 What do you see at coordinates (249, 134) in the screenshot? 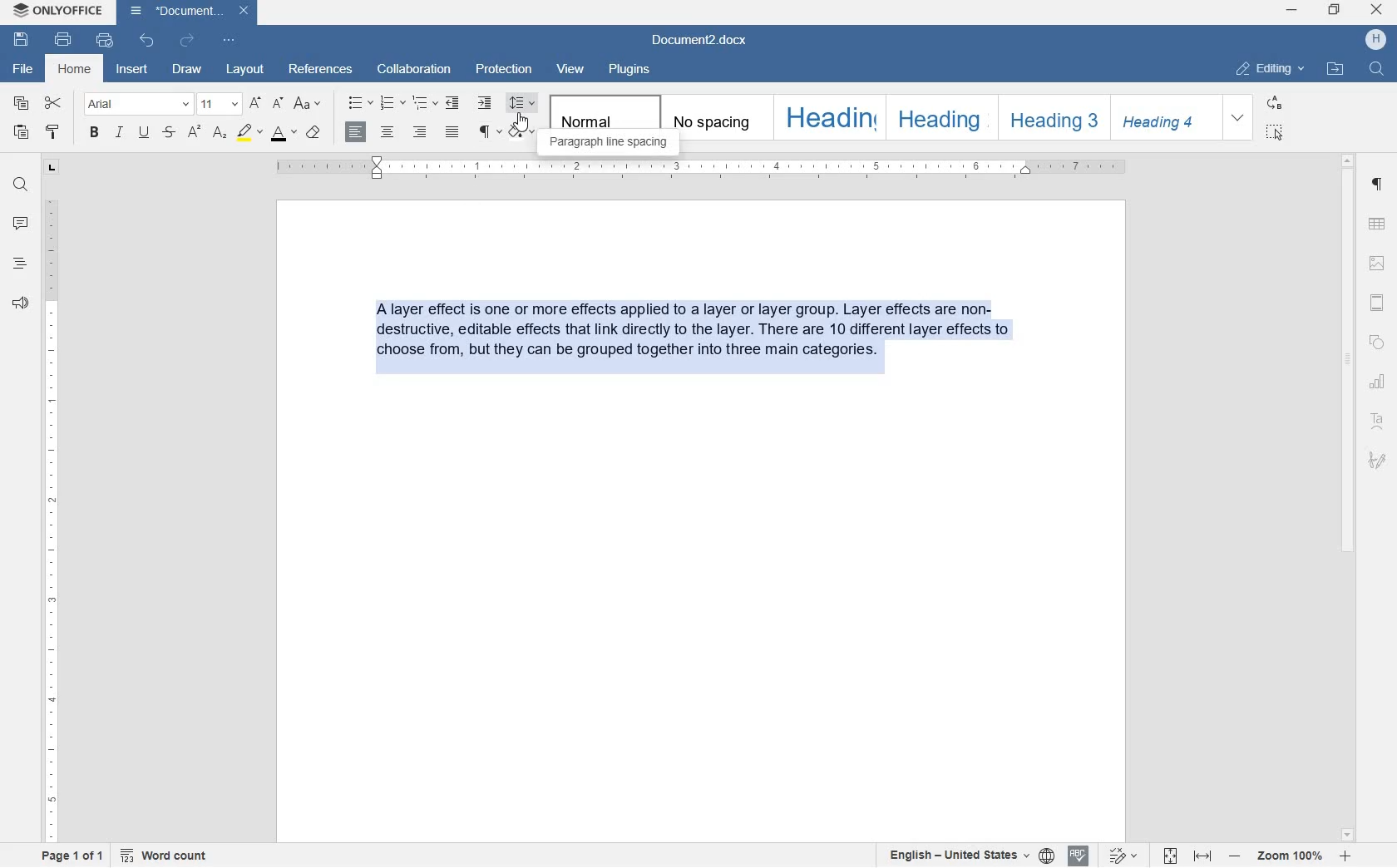
I see `highlight color` at bounding box center [249, 134].